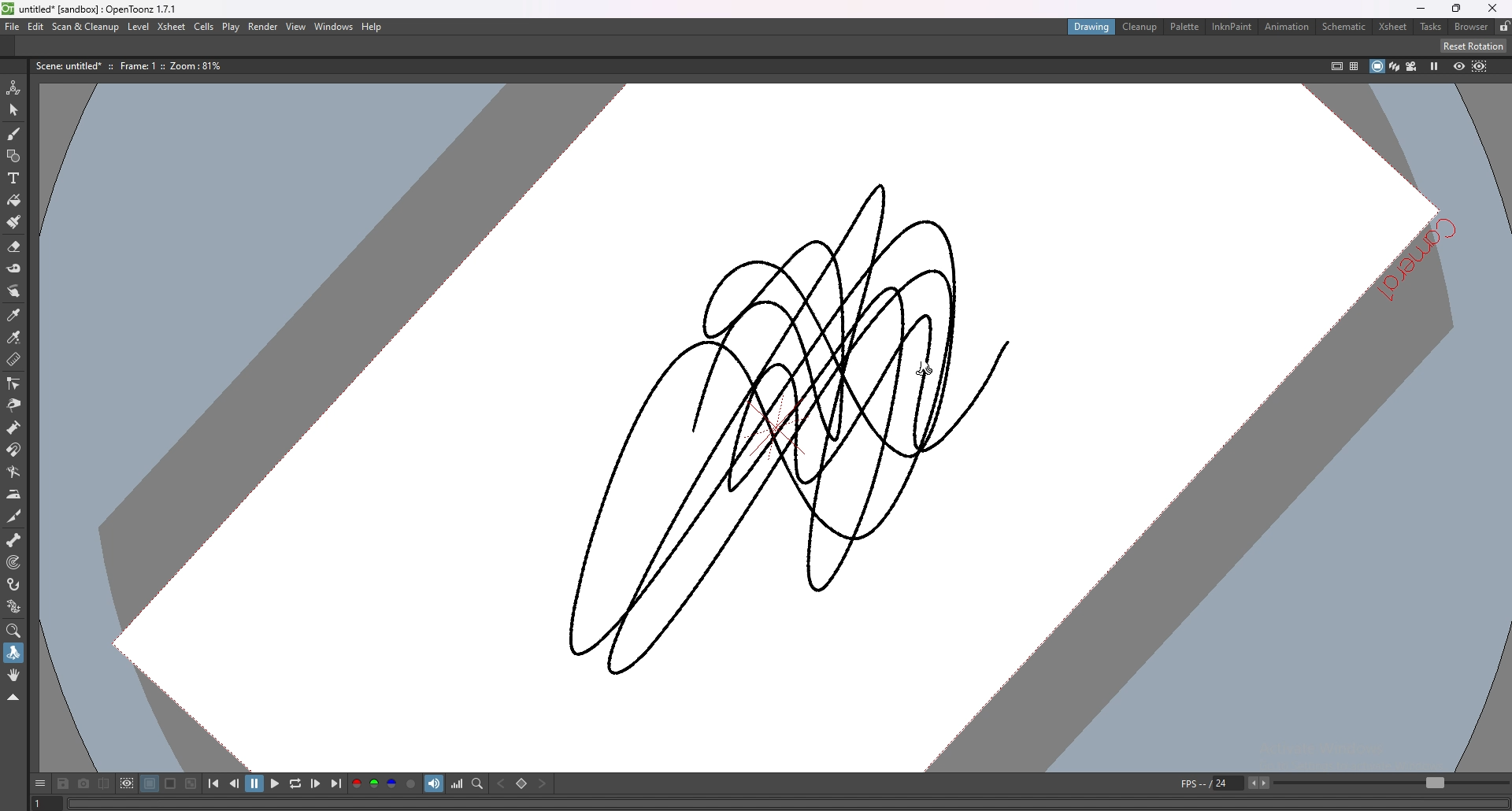  I want to click on pause, so click(256, 785).